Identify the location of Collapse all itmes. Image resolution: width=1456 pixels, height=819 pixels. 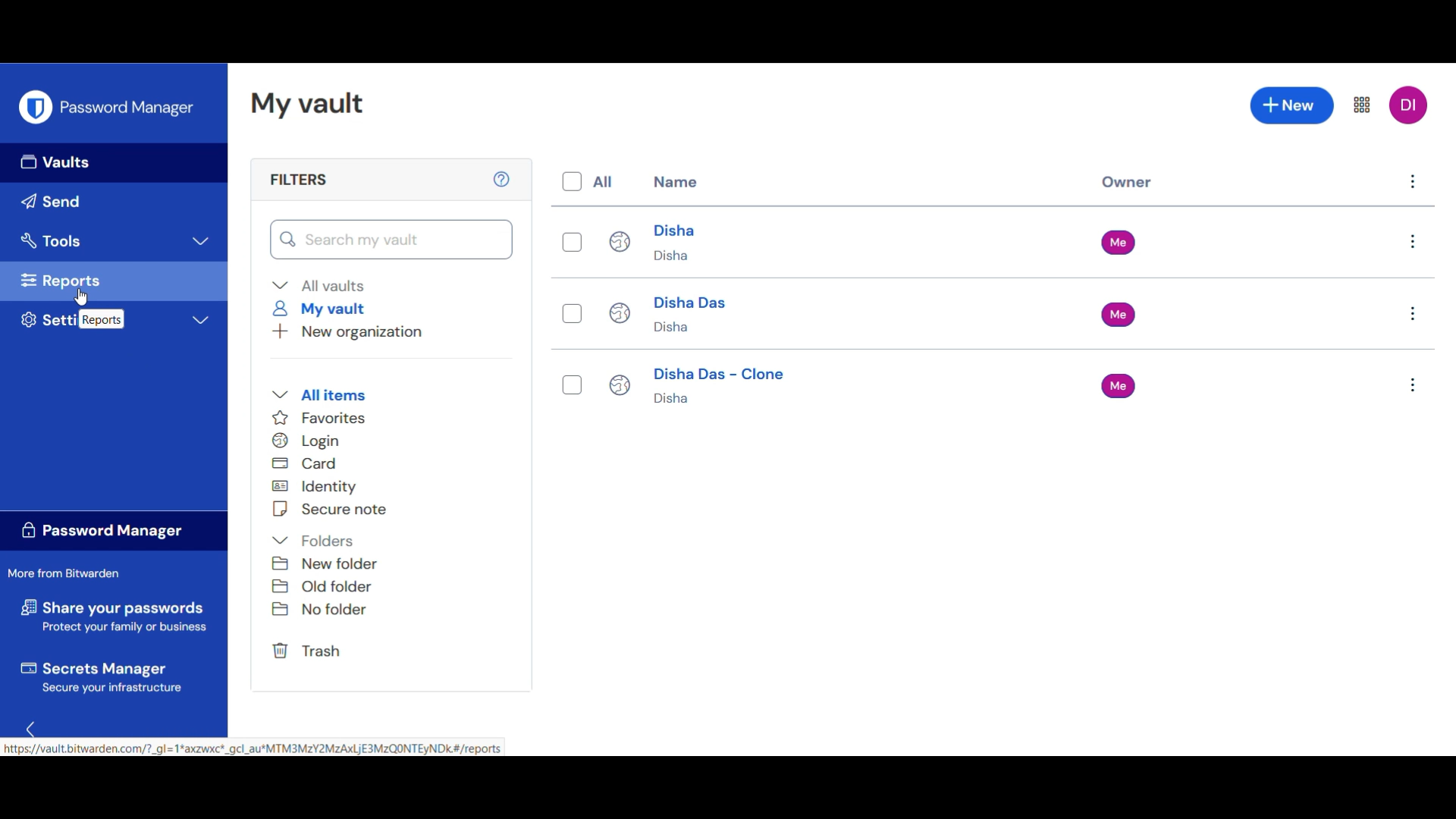
(318, 395).